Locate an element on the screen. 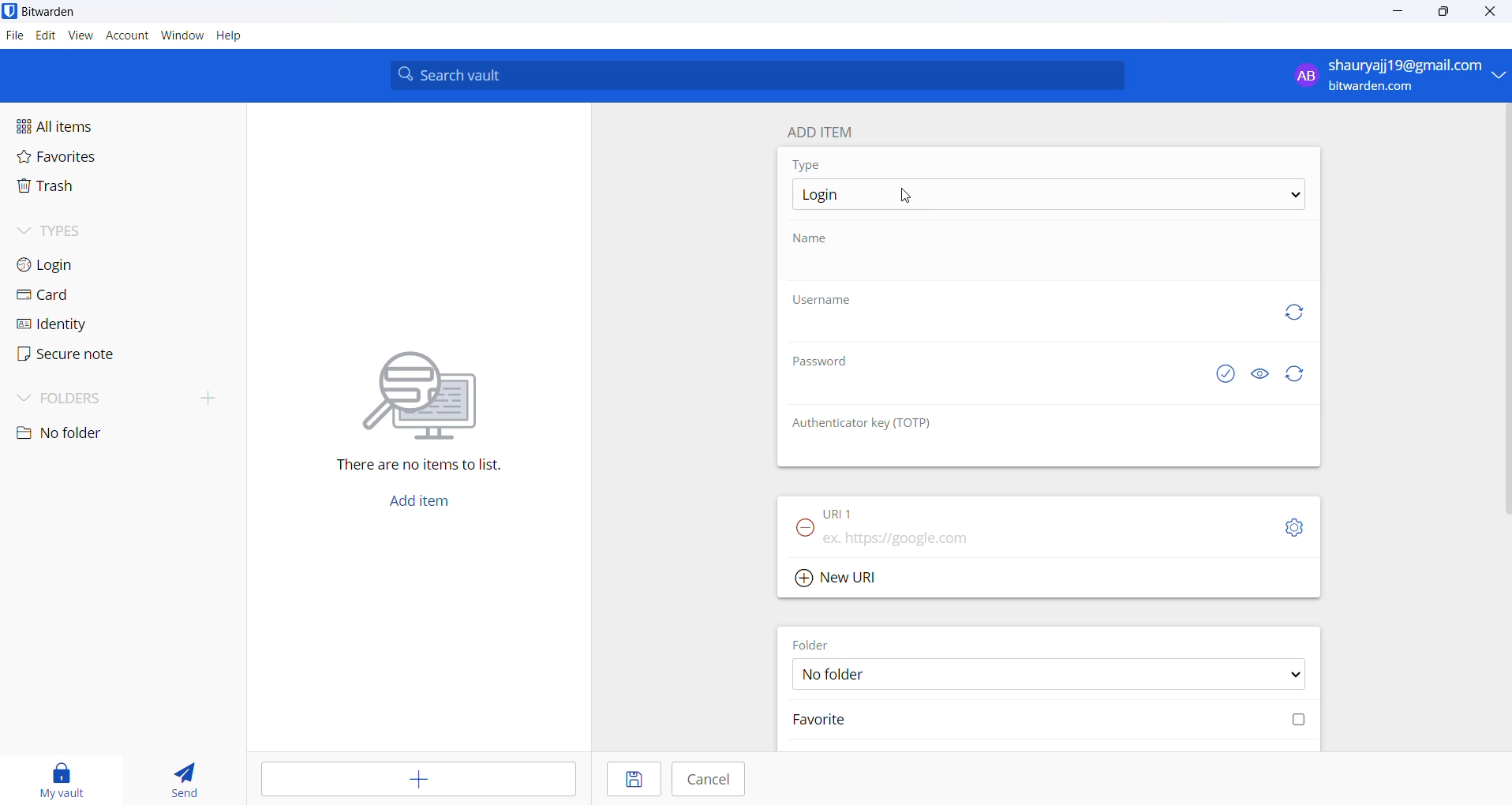 The height and width of the screenshot is (805, 1512). name heading is located at coordinates (818, 238).